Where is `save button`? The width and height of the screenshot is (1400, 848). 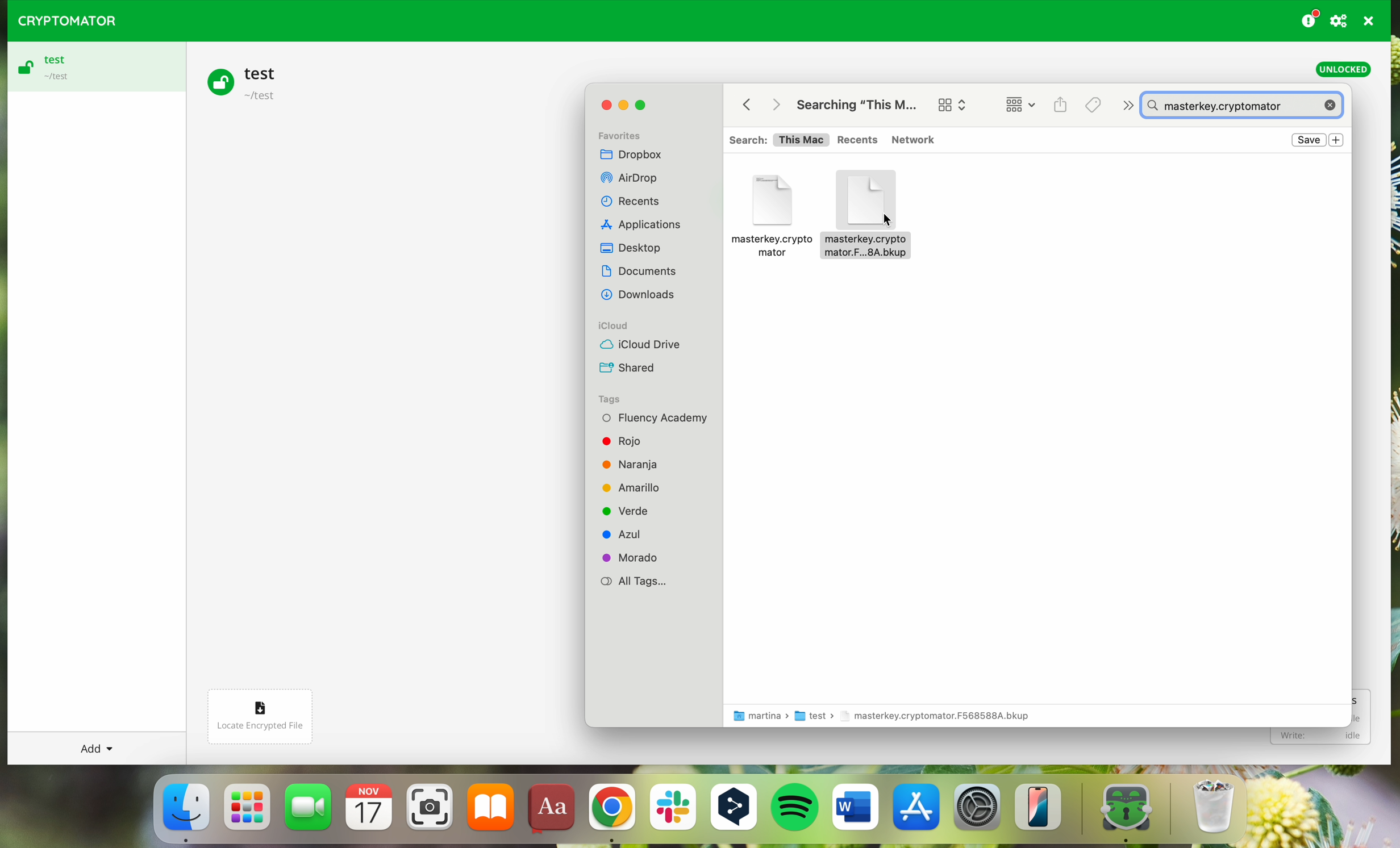 save button is located at coordinates (1309, 140).